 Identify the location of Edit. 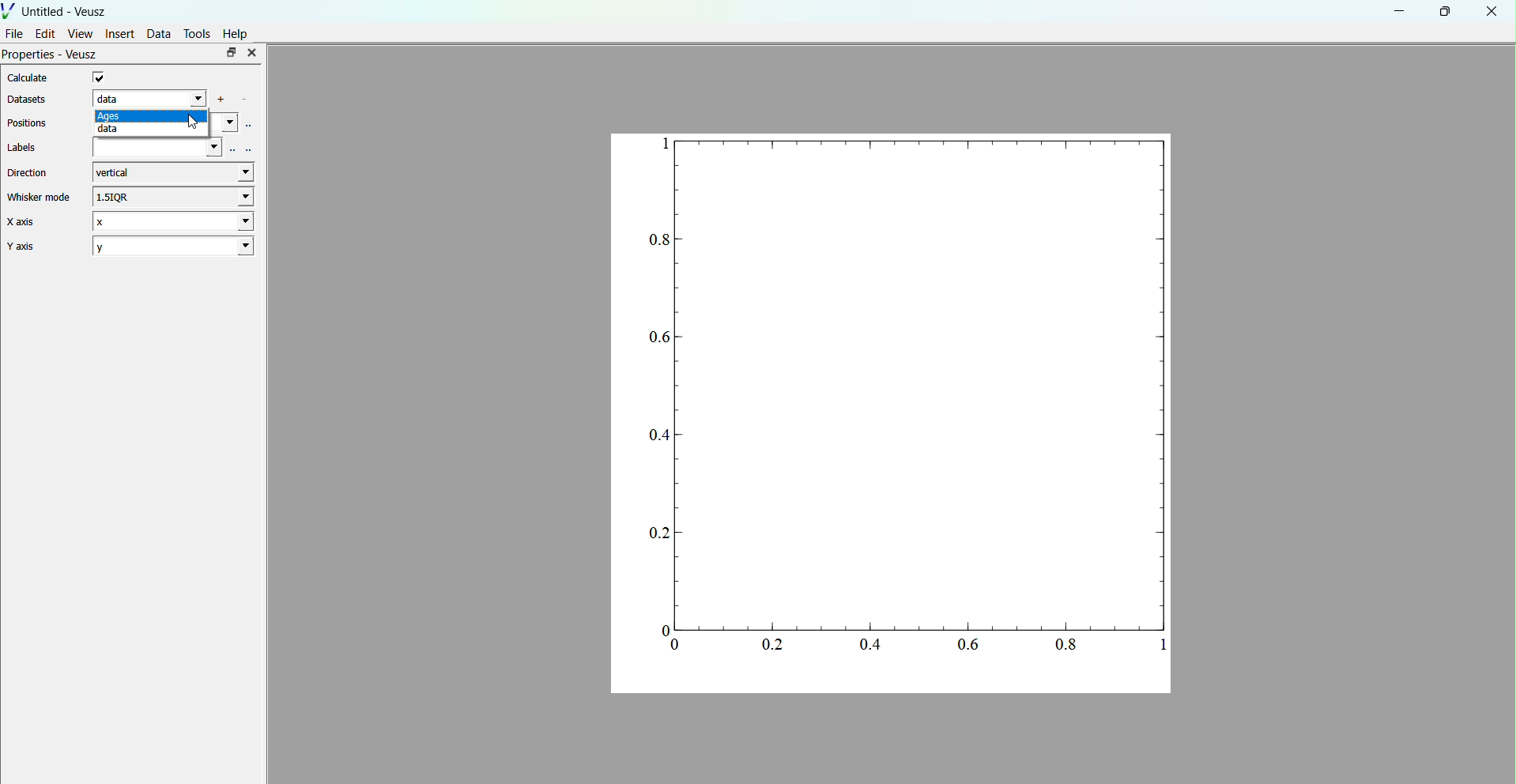
(46, 33).